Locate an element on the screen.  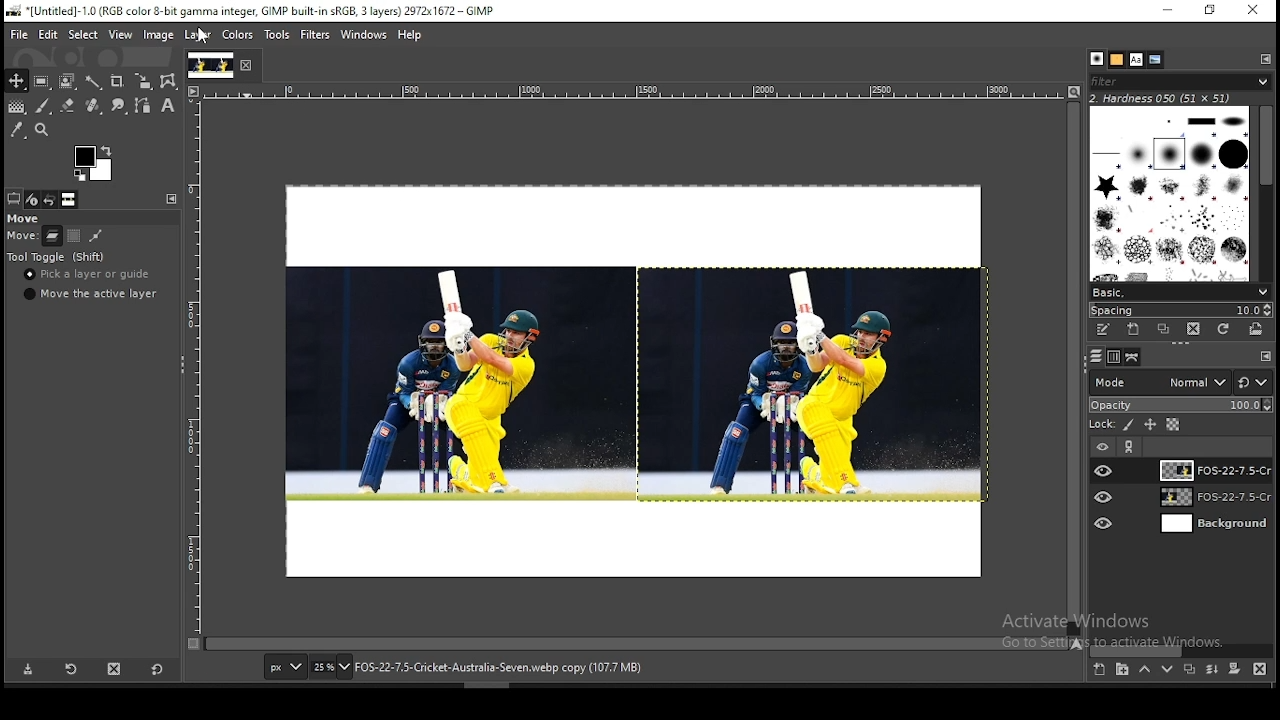
file is located at coordinates (19, 33).